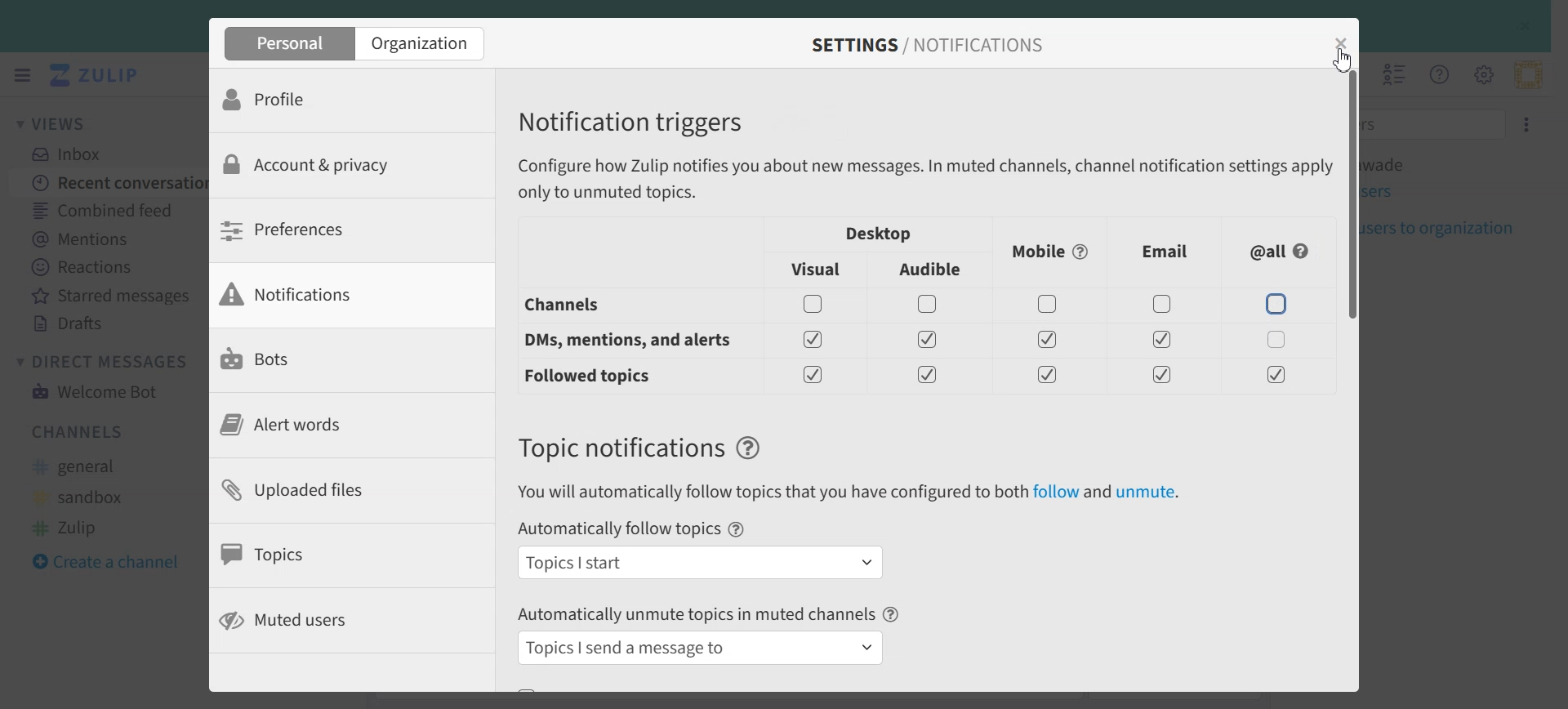 The image size is (1568, 709). I want to click on Settings, so click(1528, 123).